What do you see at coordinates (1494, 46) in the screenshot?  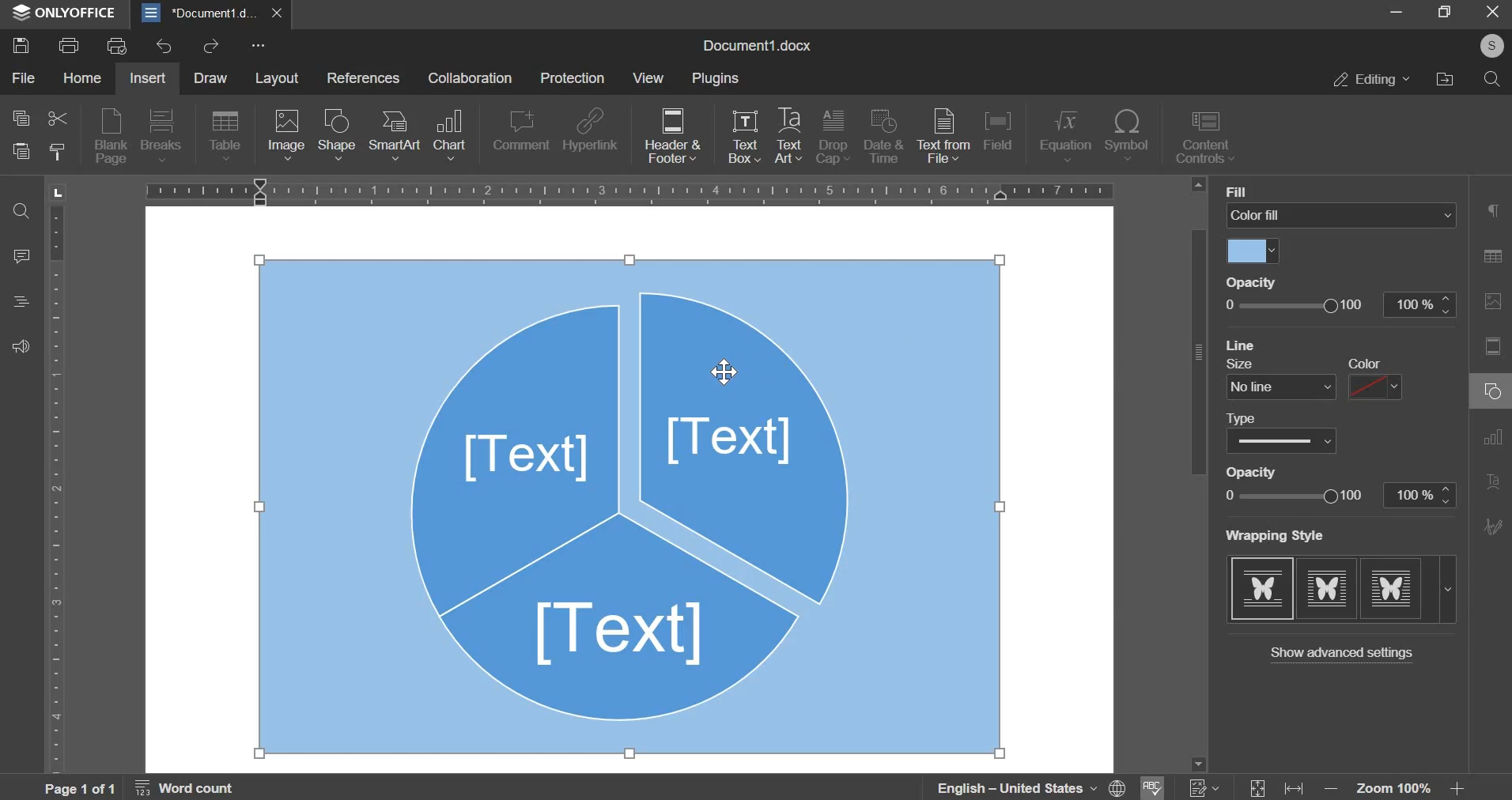 I see `` at bounding box center [1494, 46].